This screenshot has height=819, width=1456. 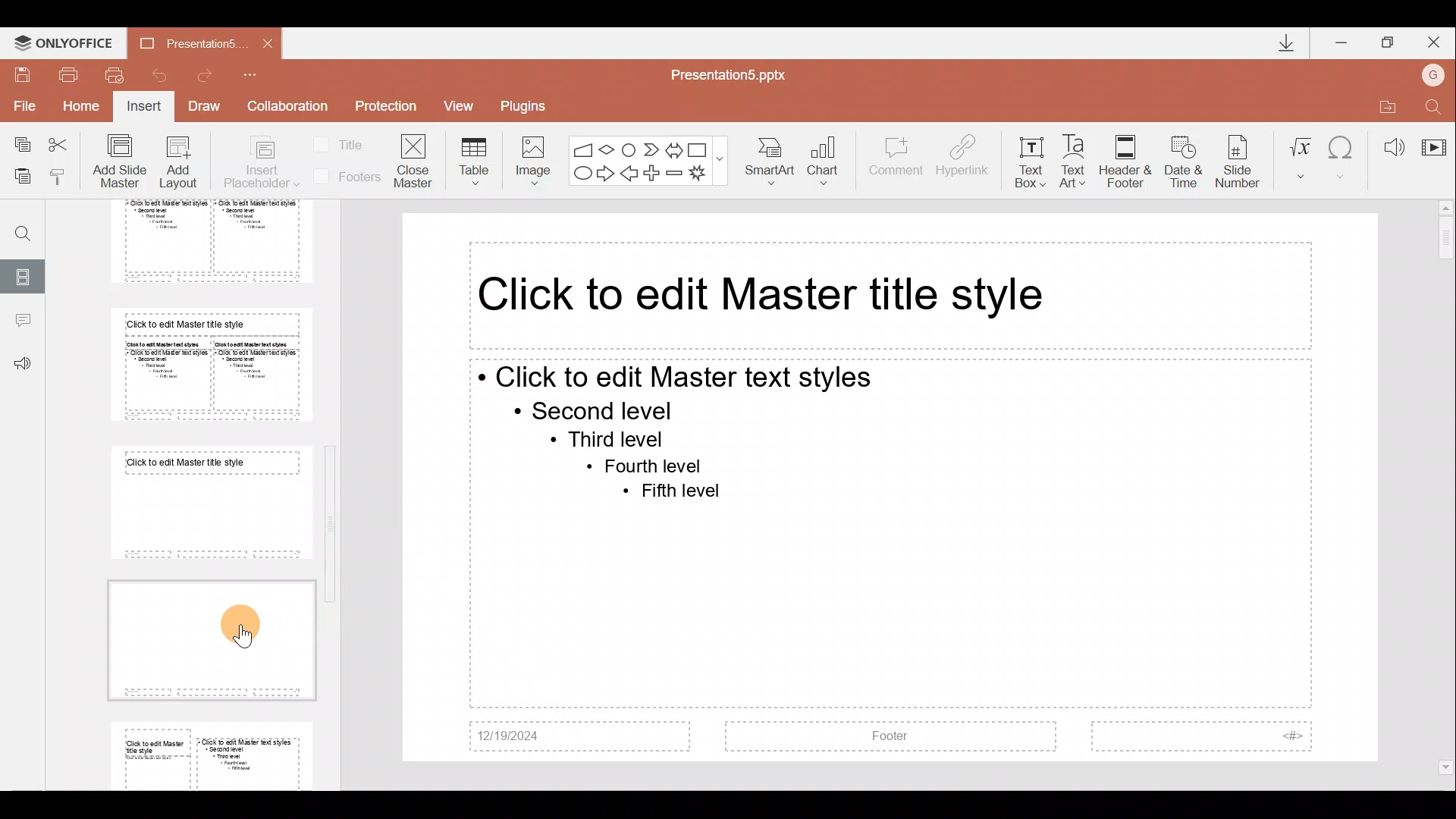 I want to click on Slide 6, so click(x=206, y=365).